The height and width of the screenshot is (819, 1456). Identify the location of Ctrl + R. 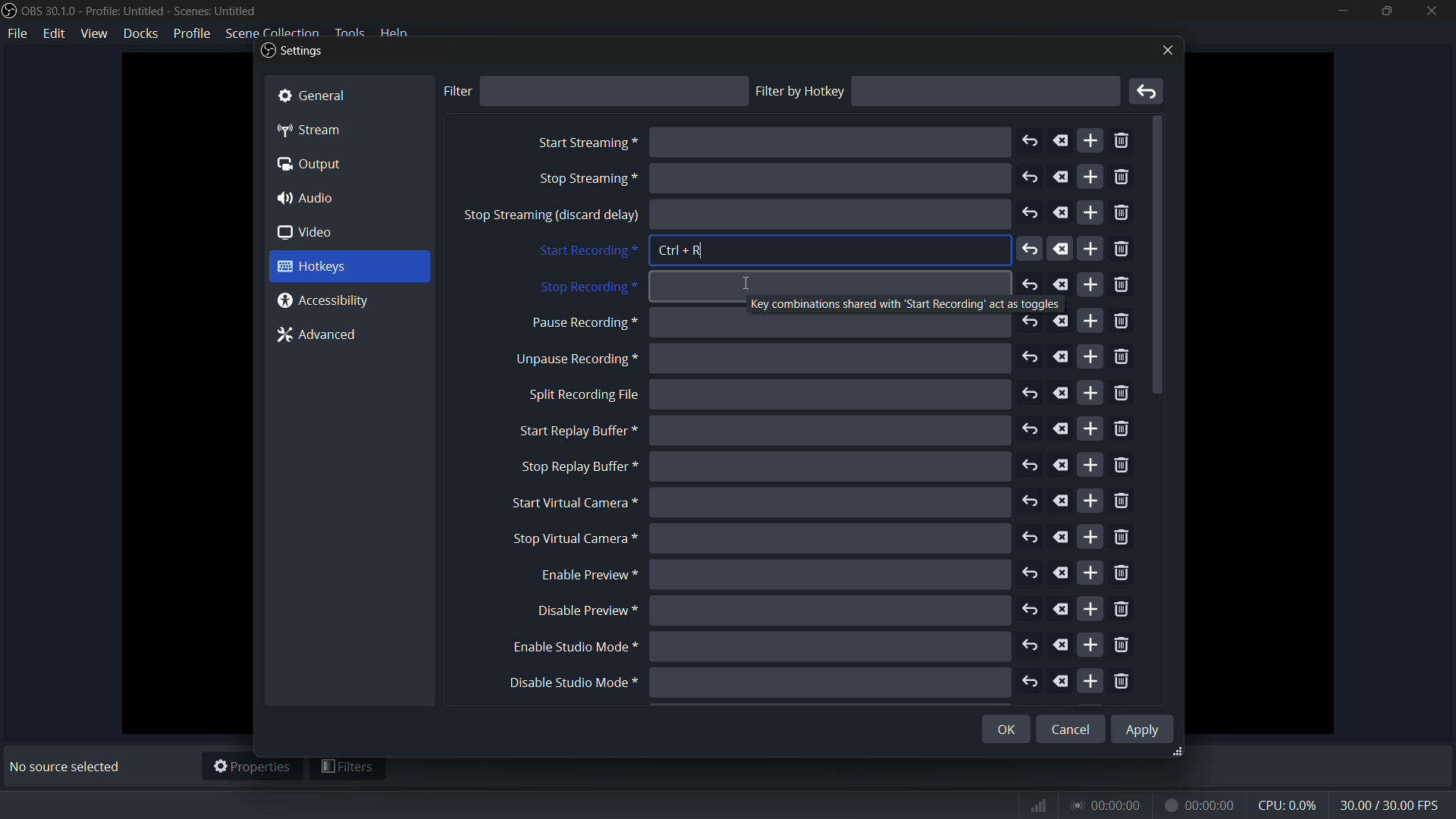
(682, 252).